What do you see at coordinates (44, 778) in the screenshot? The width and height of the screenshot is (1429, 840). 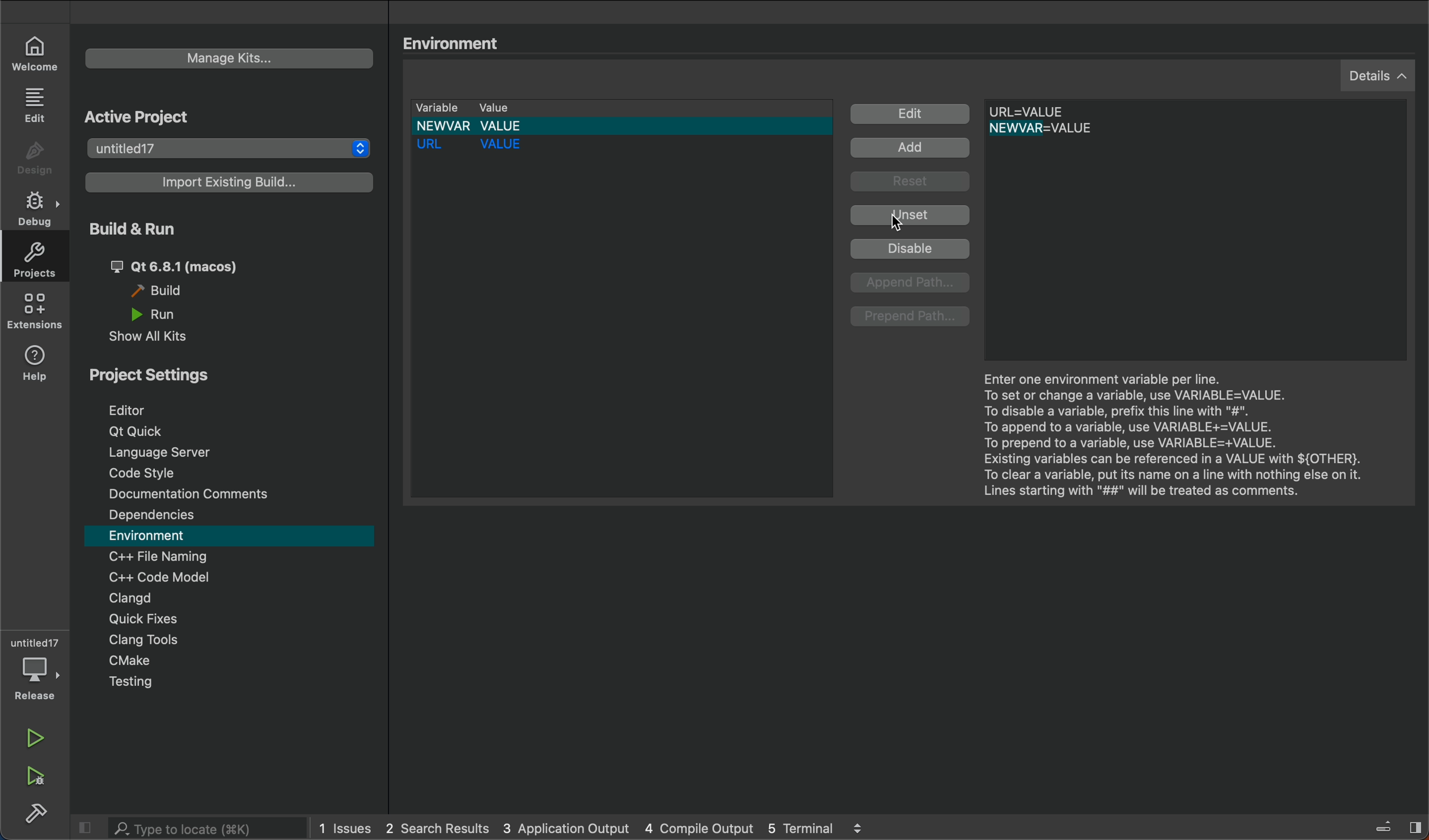 I see `run and debug` at bounding box center [44, 778].